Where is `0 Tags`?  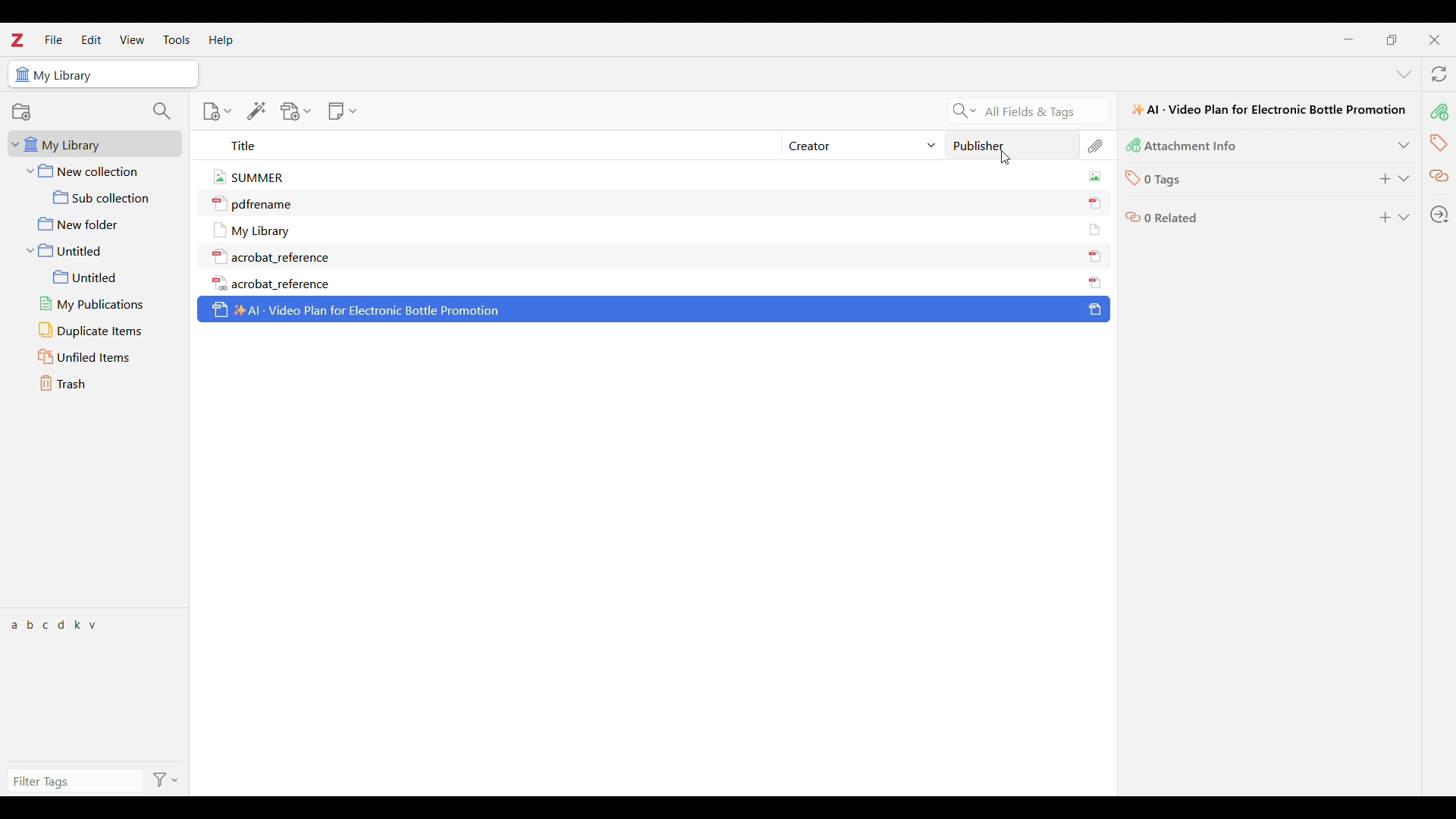
0 Tags is located at coordinates (1166, 180).